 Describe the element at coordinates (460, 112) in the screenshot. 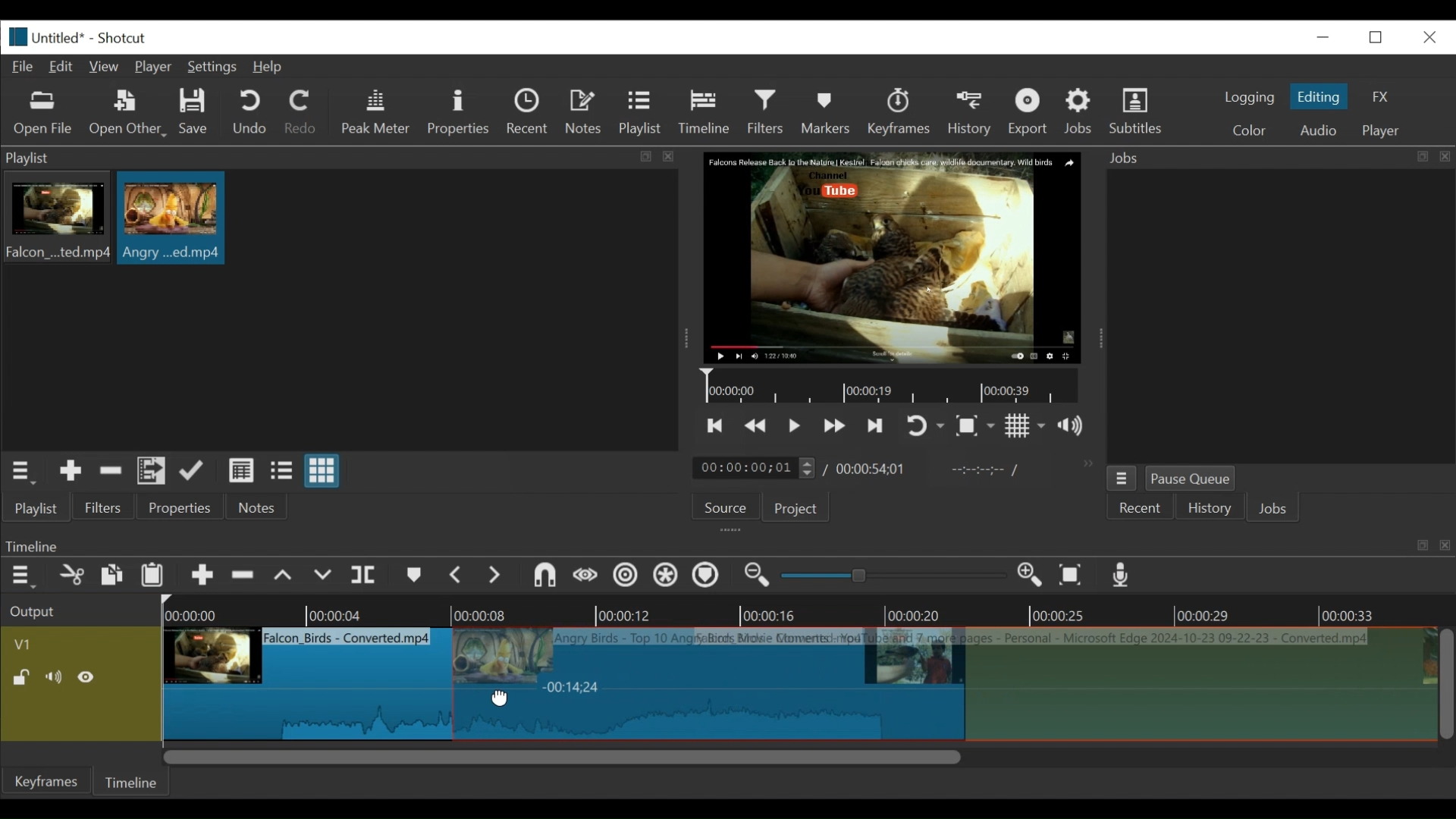

I see `Properties` at that location.